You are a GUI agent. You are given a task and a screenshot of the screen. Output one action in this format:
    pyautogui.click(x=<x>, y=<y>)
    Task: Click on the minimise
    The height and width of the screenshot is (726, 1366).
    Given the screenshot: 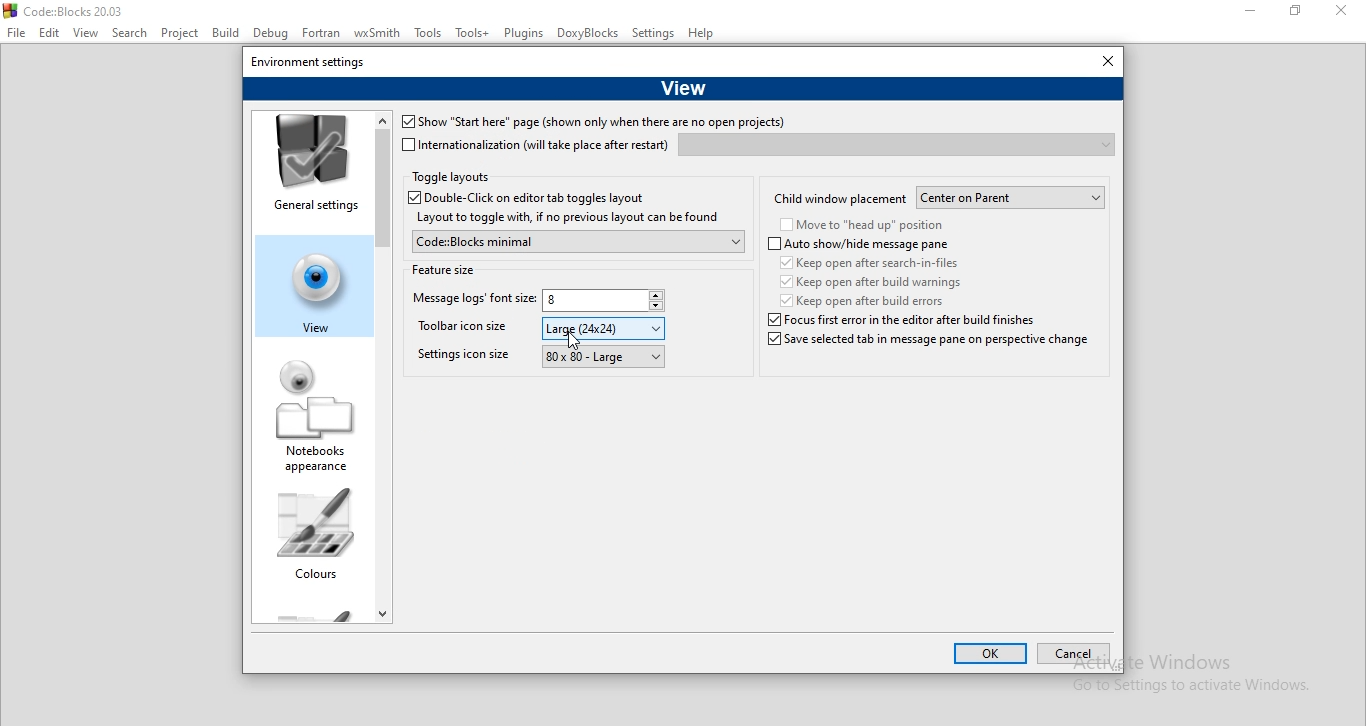 What is the action you would take?
    pyautogui.click(x=1251, y=12)
    